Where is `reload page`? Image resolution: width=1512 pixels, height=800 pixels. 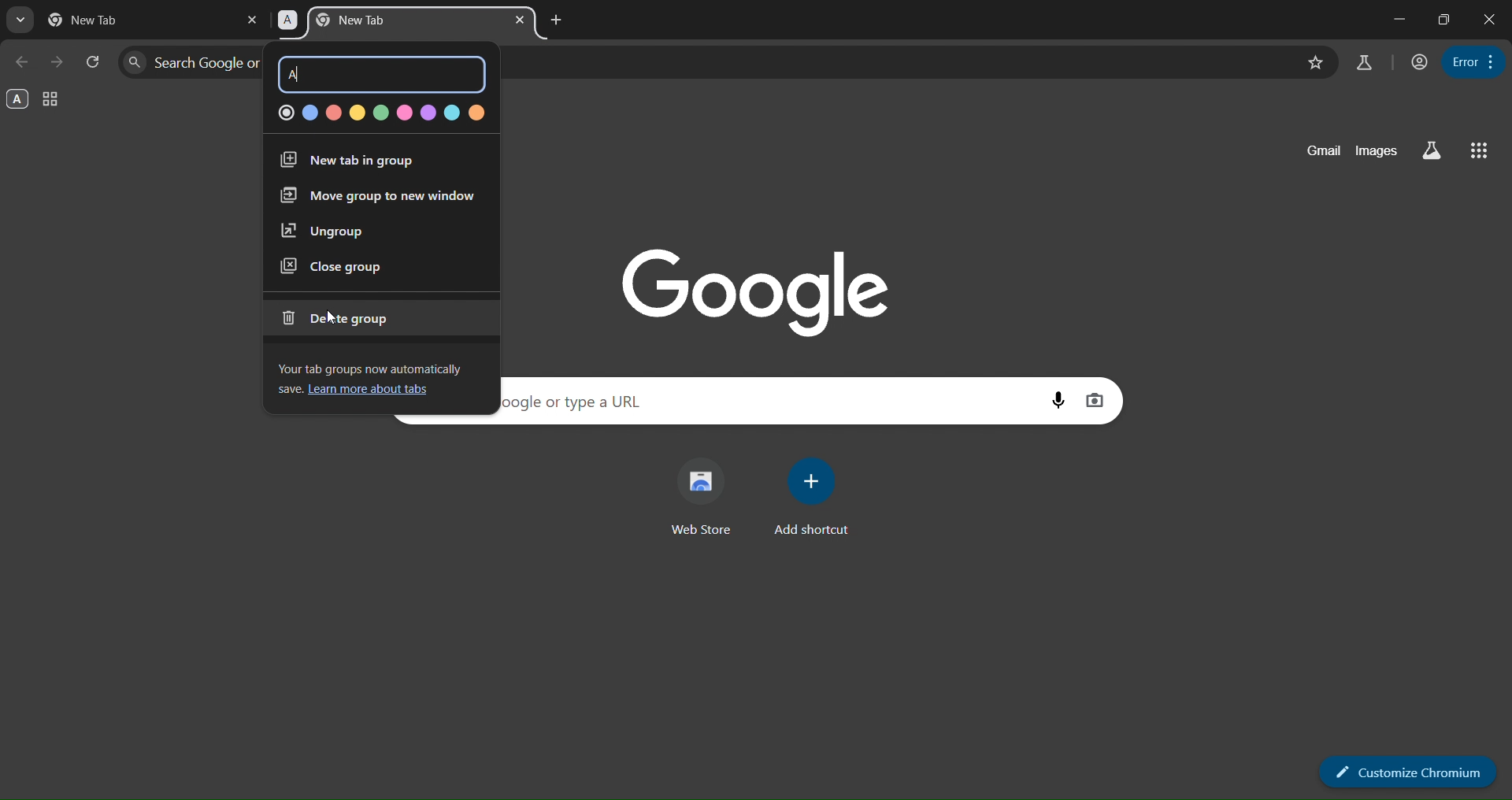
reload page is located at coordinates (94, 61).